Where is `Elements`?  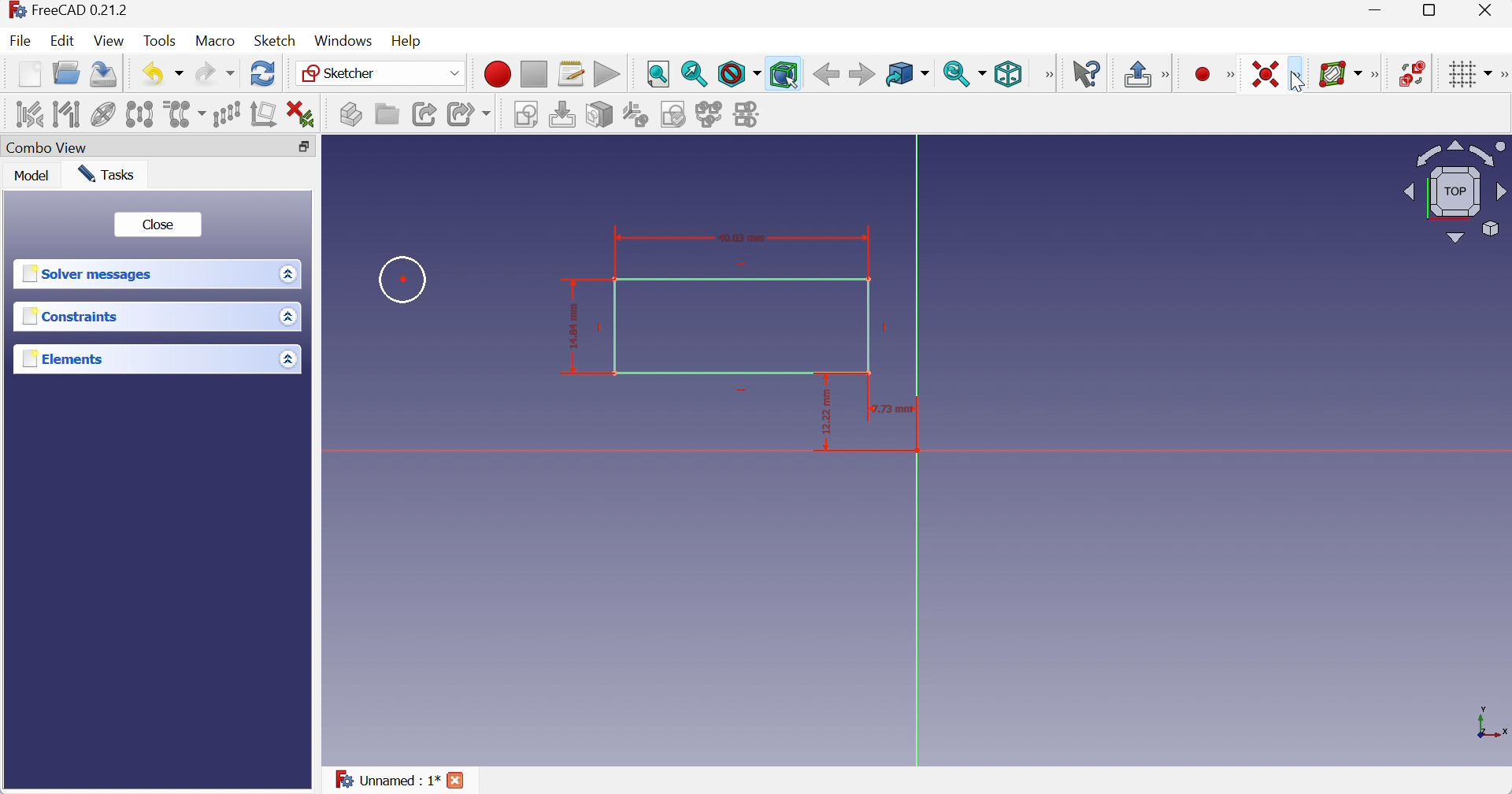
Elements is located at coordinates (69, 358).